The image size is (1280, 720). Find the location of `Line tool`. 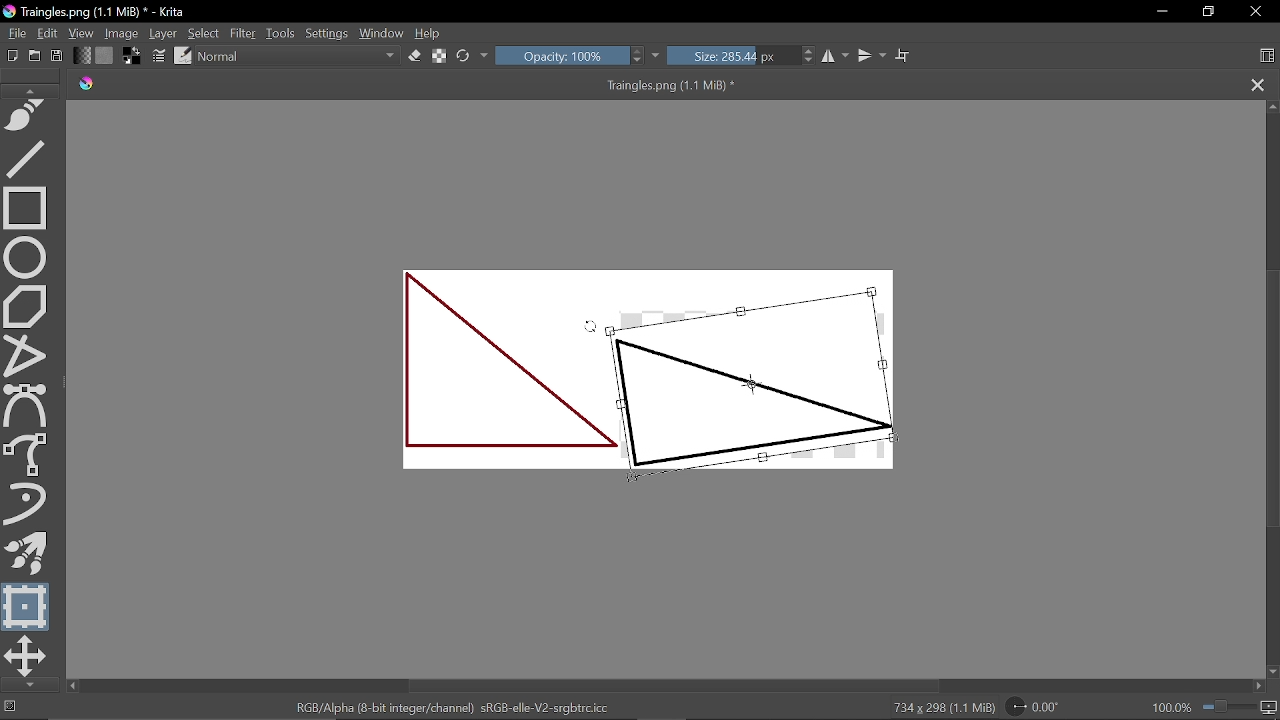

Line tool is located at coordinates (30, 158).